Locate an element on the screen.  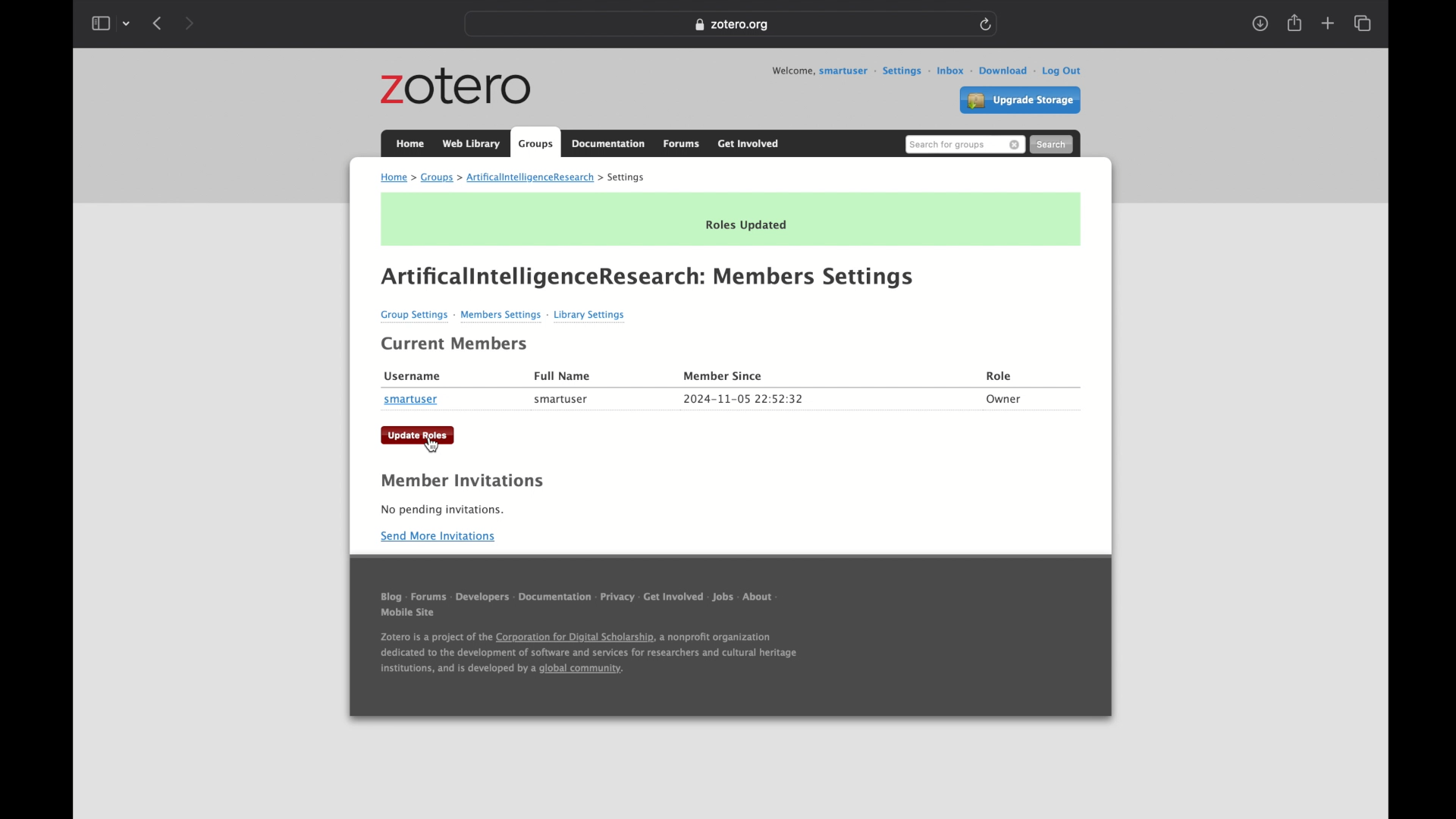
downloads is located at coordinates (1261, 24).